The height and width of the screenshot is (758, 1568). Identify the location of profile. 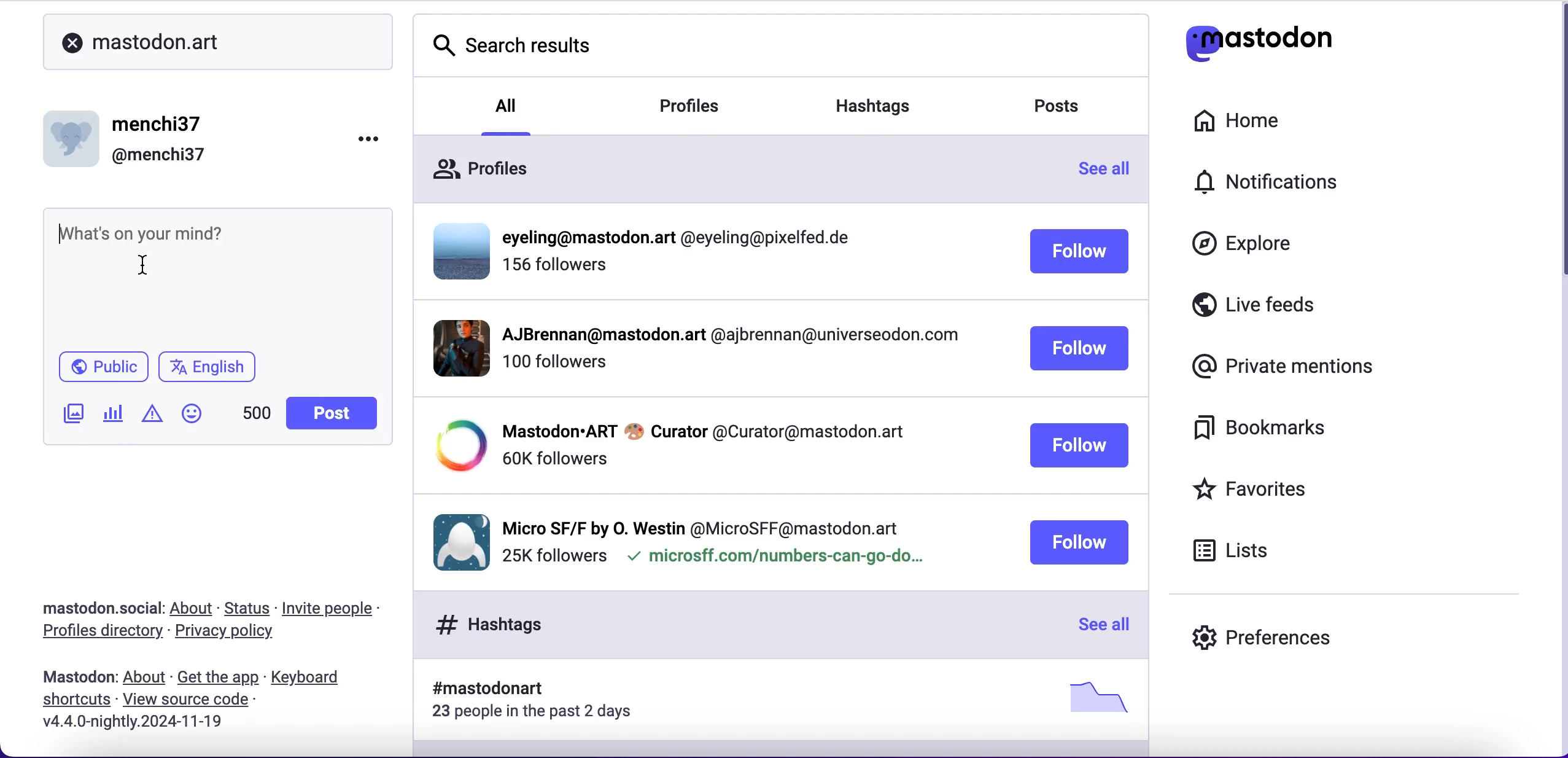
(728, 338).